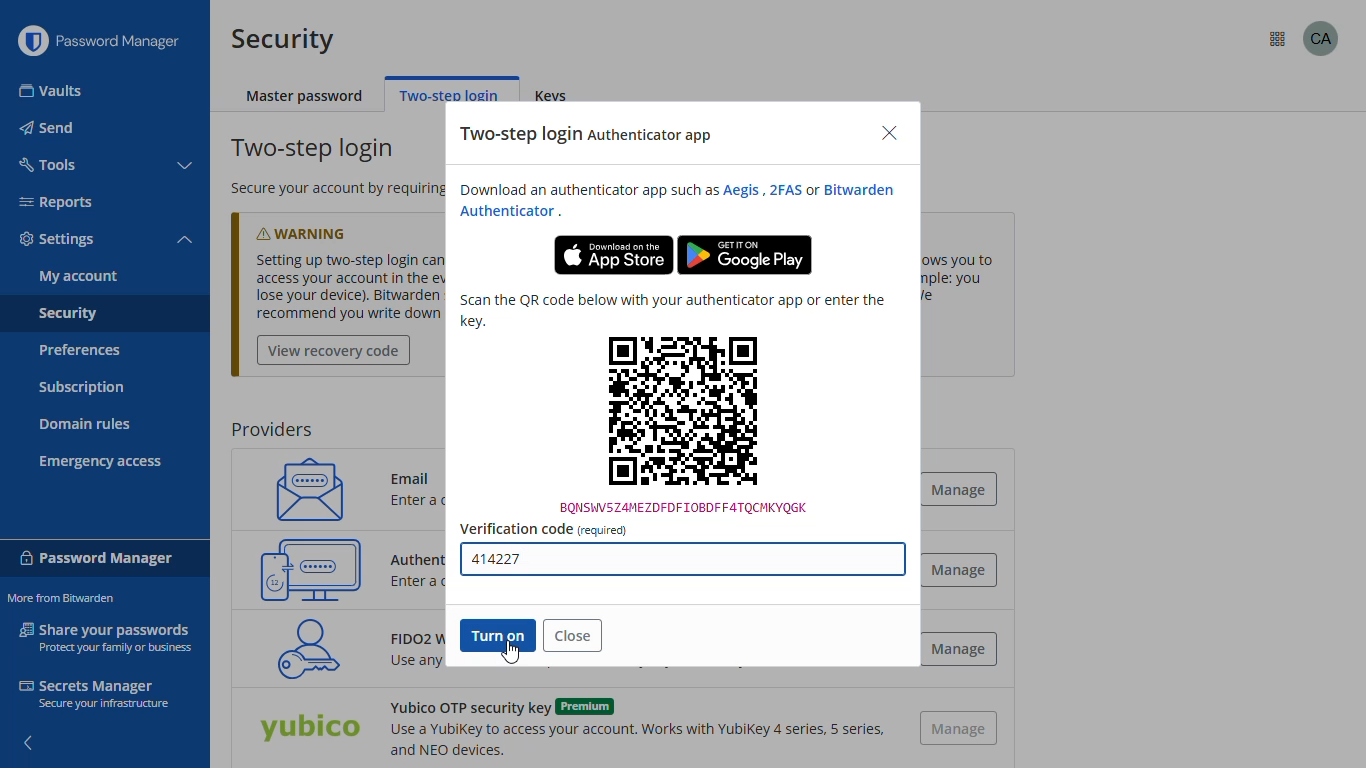 This screenshot has height=768, width=1366. Describe the element at coordinates (108, 636) in the screenshot. I see `share your passwords` at that location.